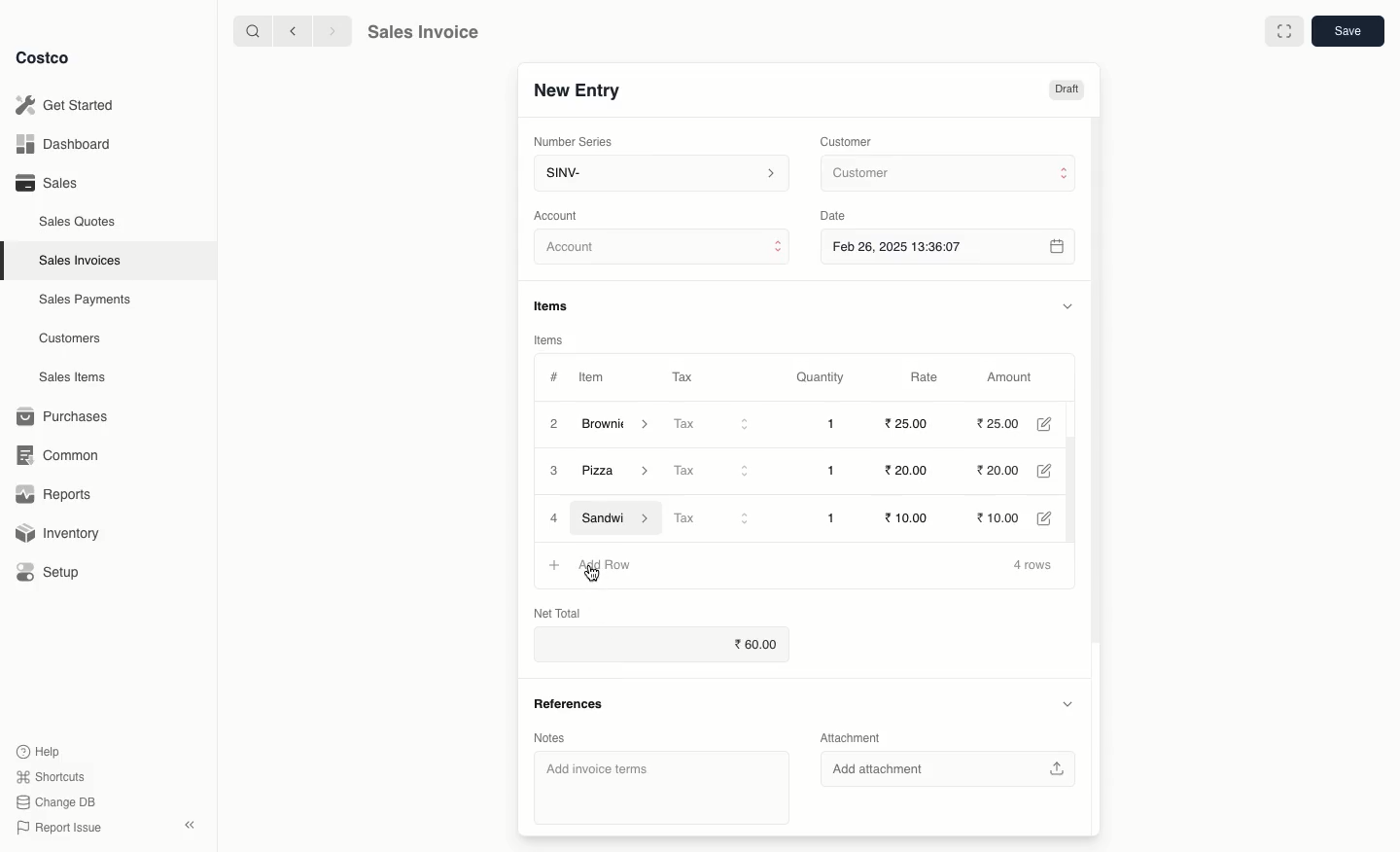 The image size is (1400, 852). Describe the element at coordinates (54, 496) in the screenshot. I see `Reports` at that location.